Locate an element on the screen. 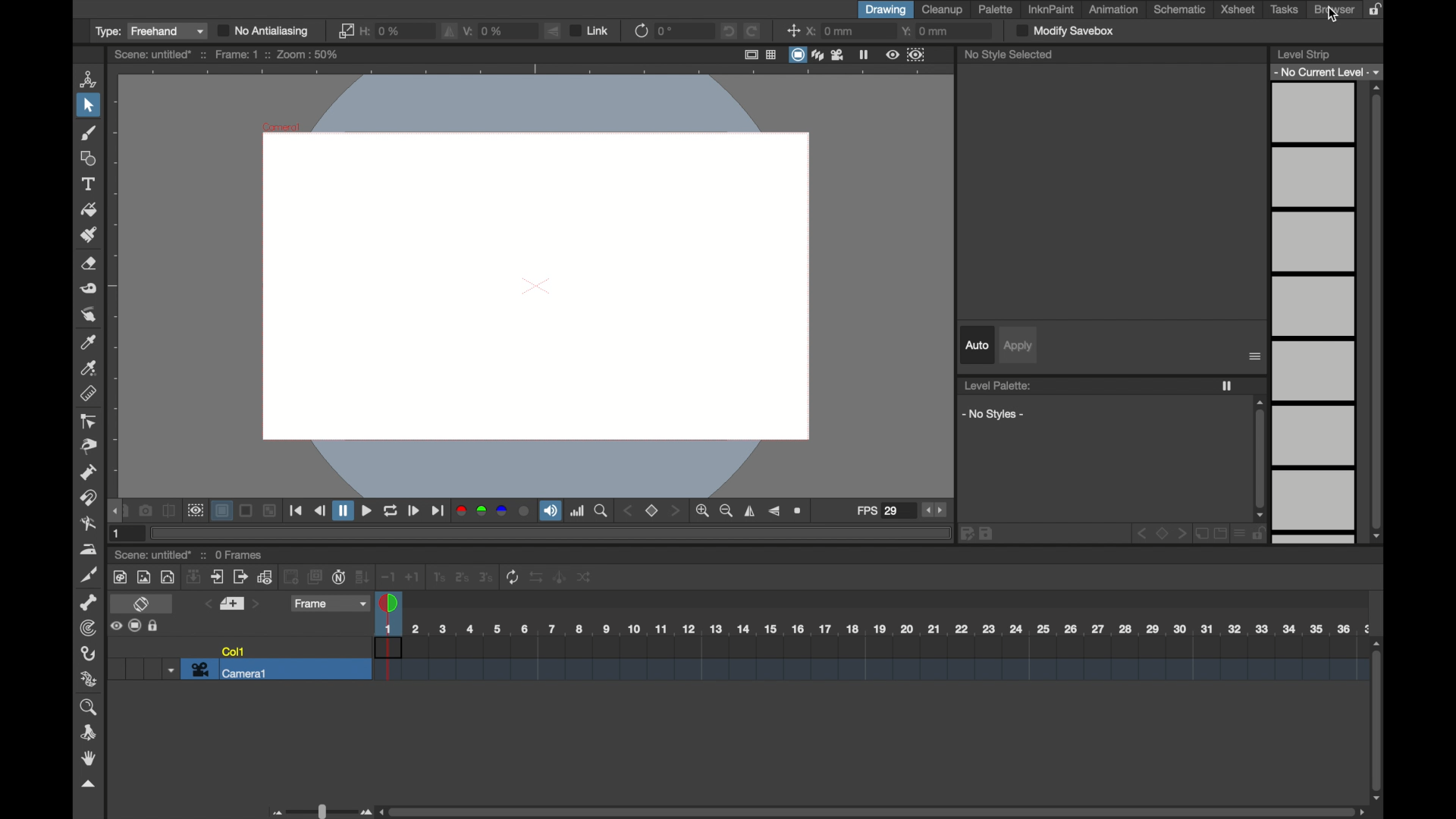  stop is located at coordinates (1163, 532).